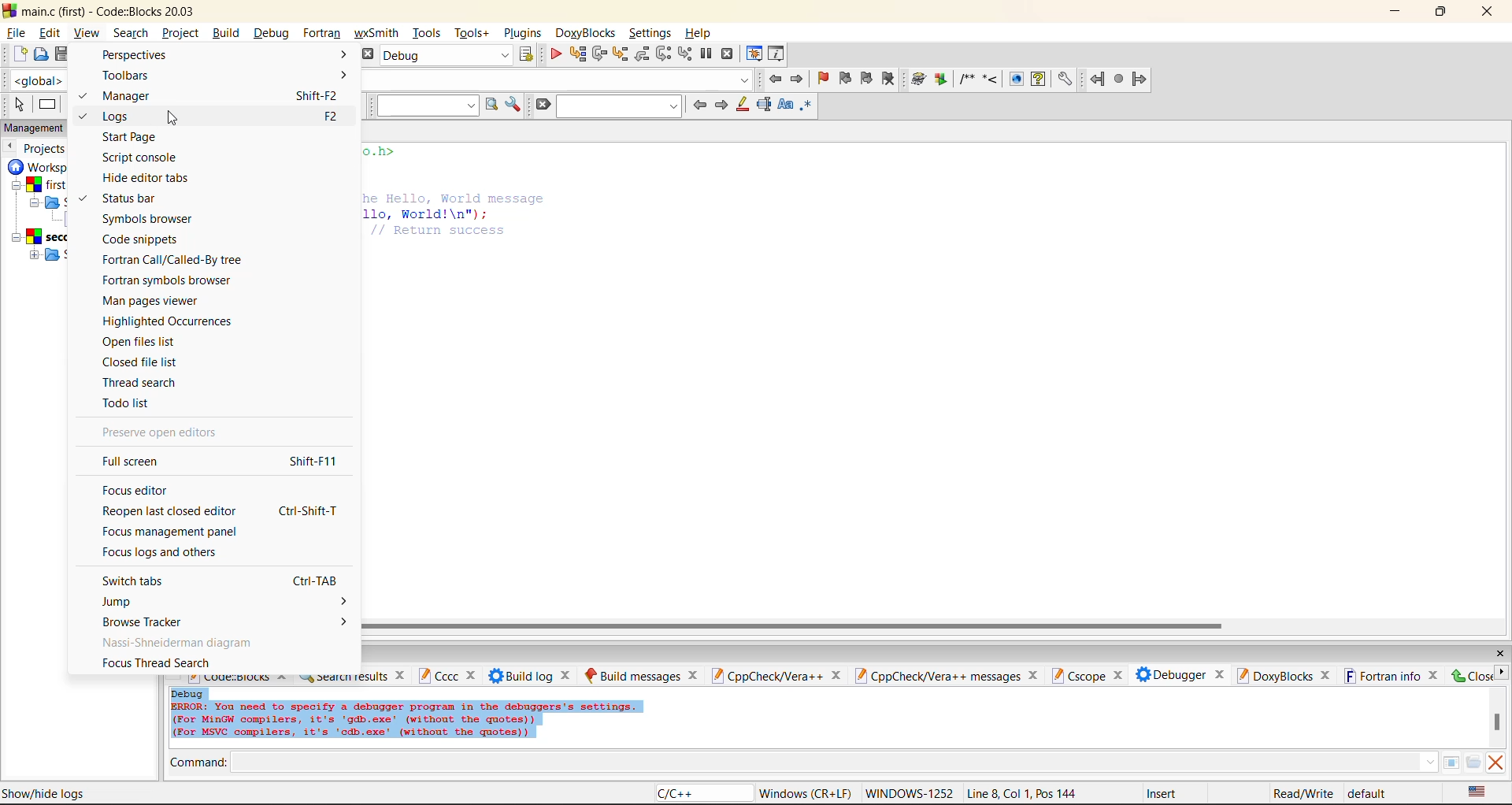 This screenshot has width=1512, height=805. What do you see at coordinates (134, 199) in the screenshot?
I see `status bar` at bounding box center [134, 199].